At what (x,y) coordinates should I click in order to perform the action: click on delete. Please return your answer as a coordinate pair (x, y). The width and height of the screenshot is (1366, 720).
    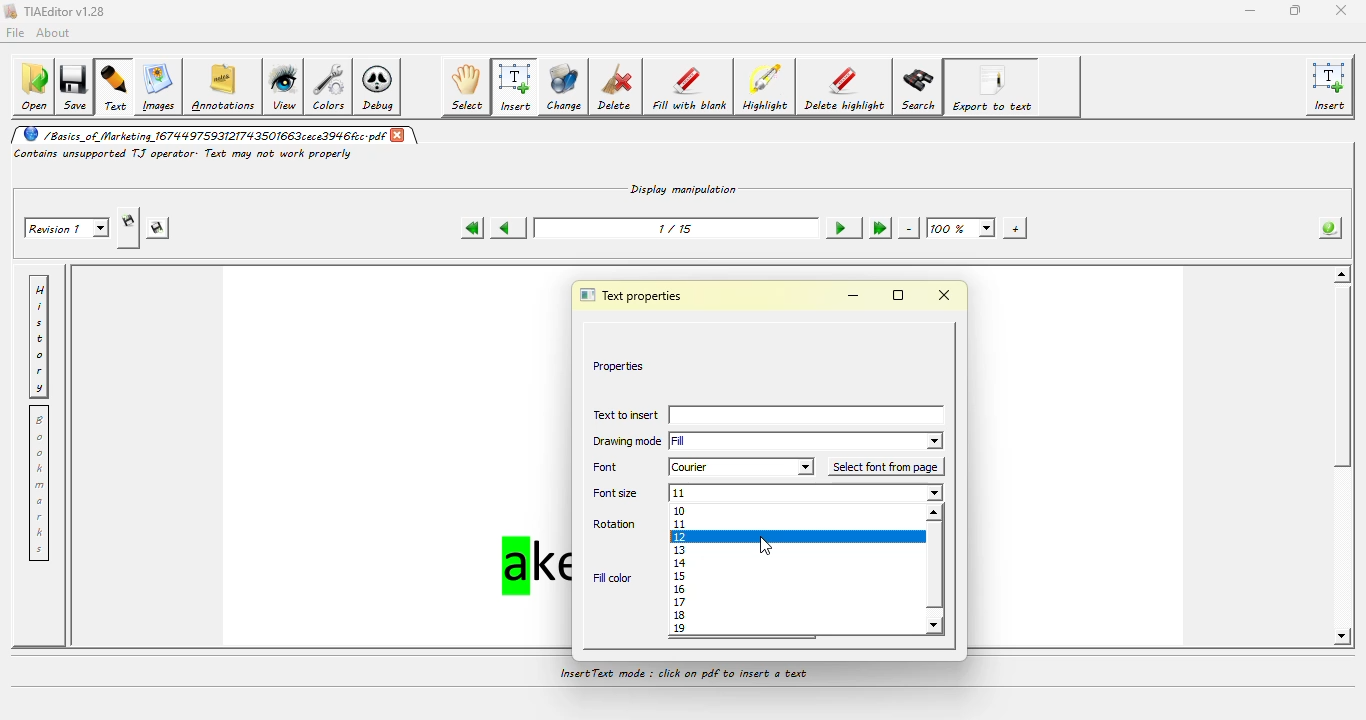
    Looking at the image, I should click on (618, 88).